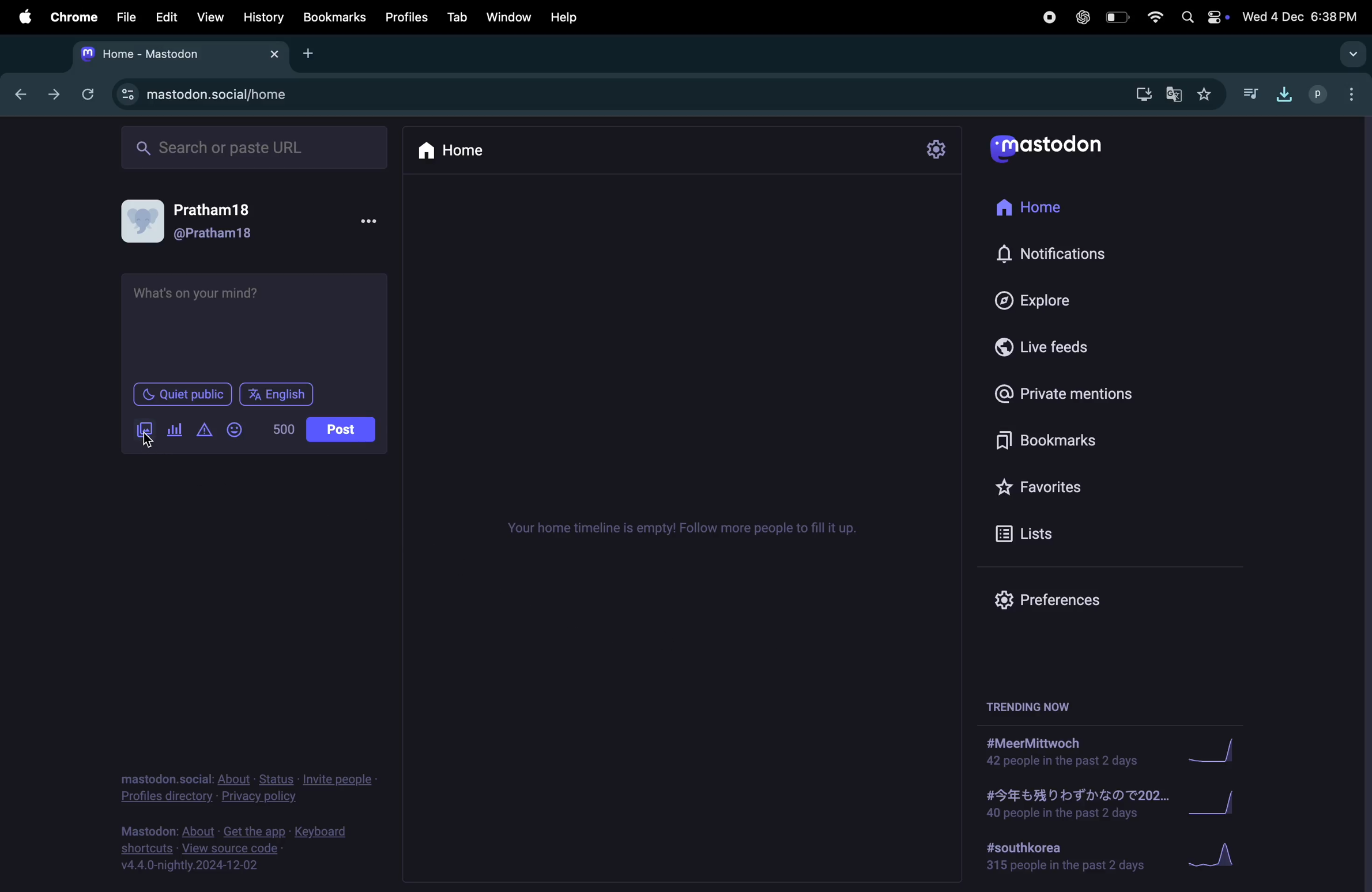 Image resolution: width=1372 pixels, height=892 pixels. Describe the element at coordinates (311, 58) in the screenshot. I see `add tab` at that location.